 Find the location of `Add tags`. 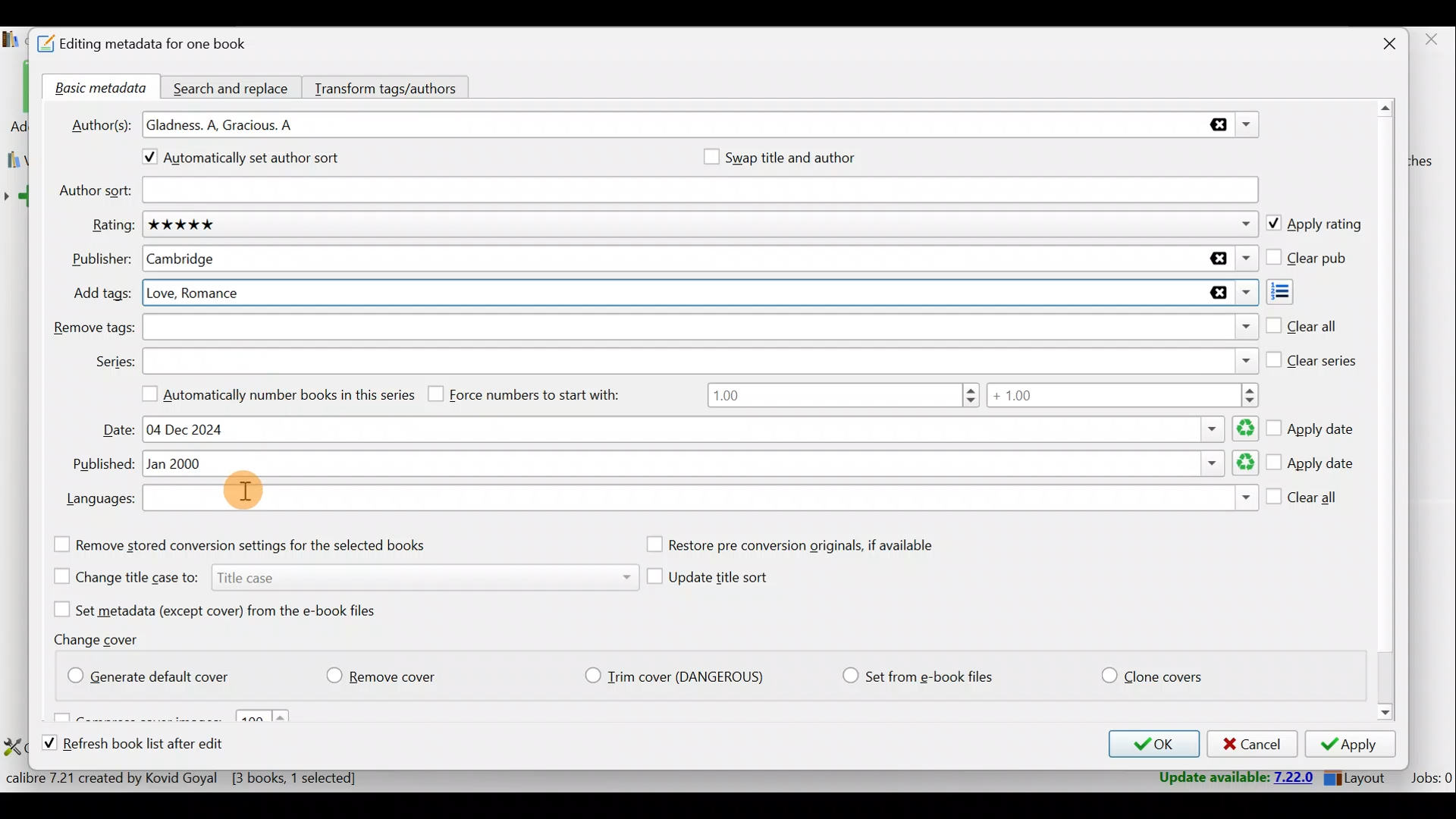

Add tags is located at coordinates (698, 293).